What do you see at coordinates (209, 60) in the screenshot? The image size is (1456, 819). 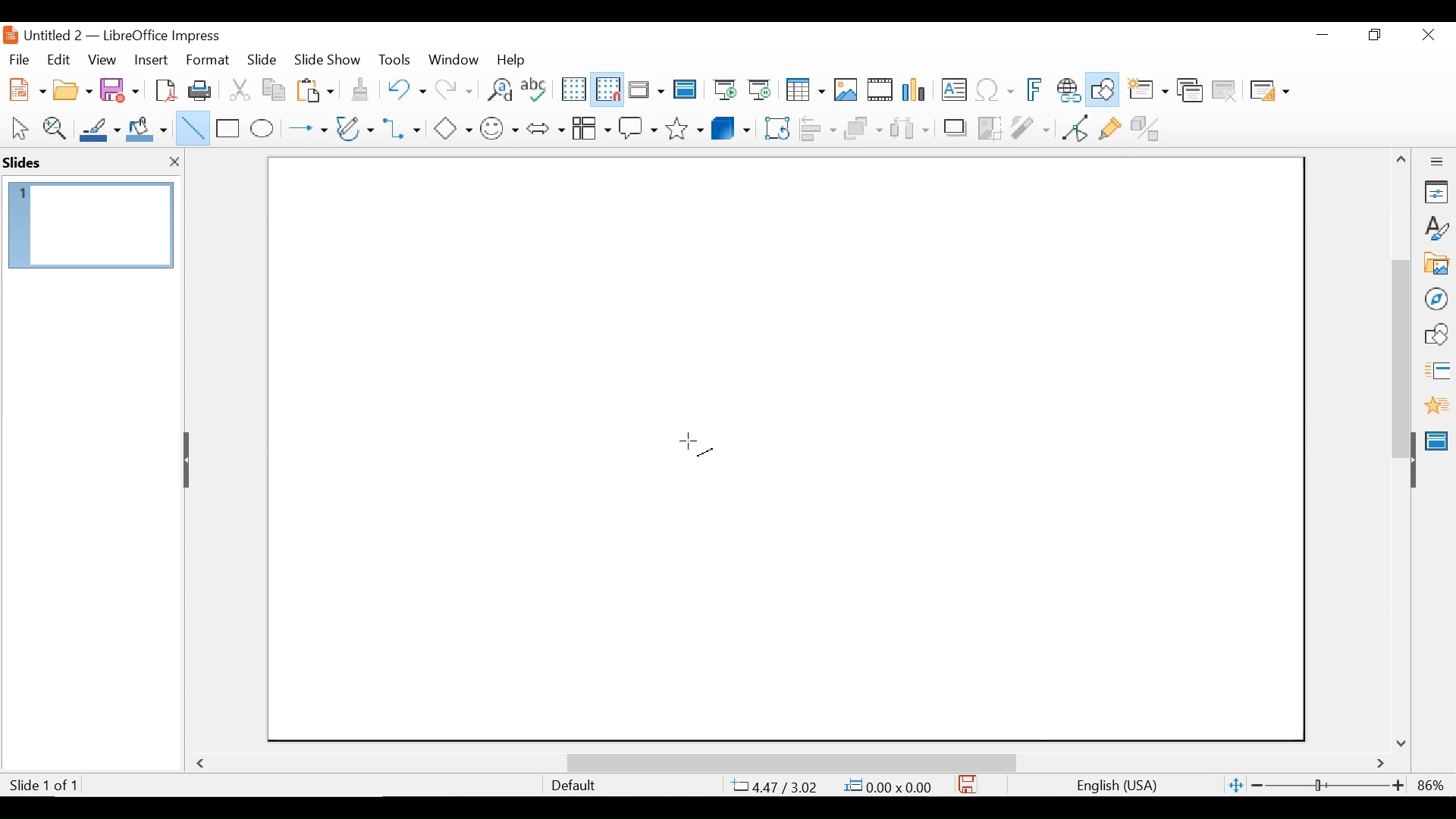 I see `Format` at bounding box center [209, 60].